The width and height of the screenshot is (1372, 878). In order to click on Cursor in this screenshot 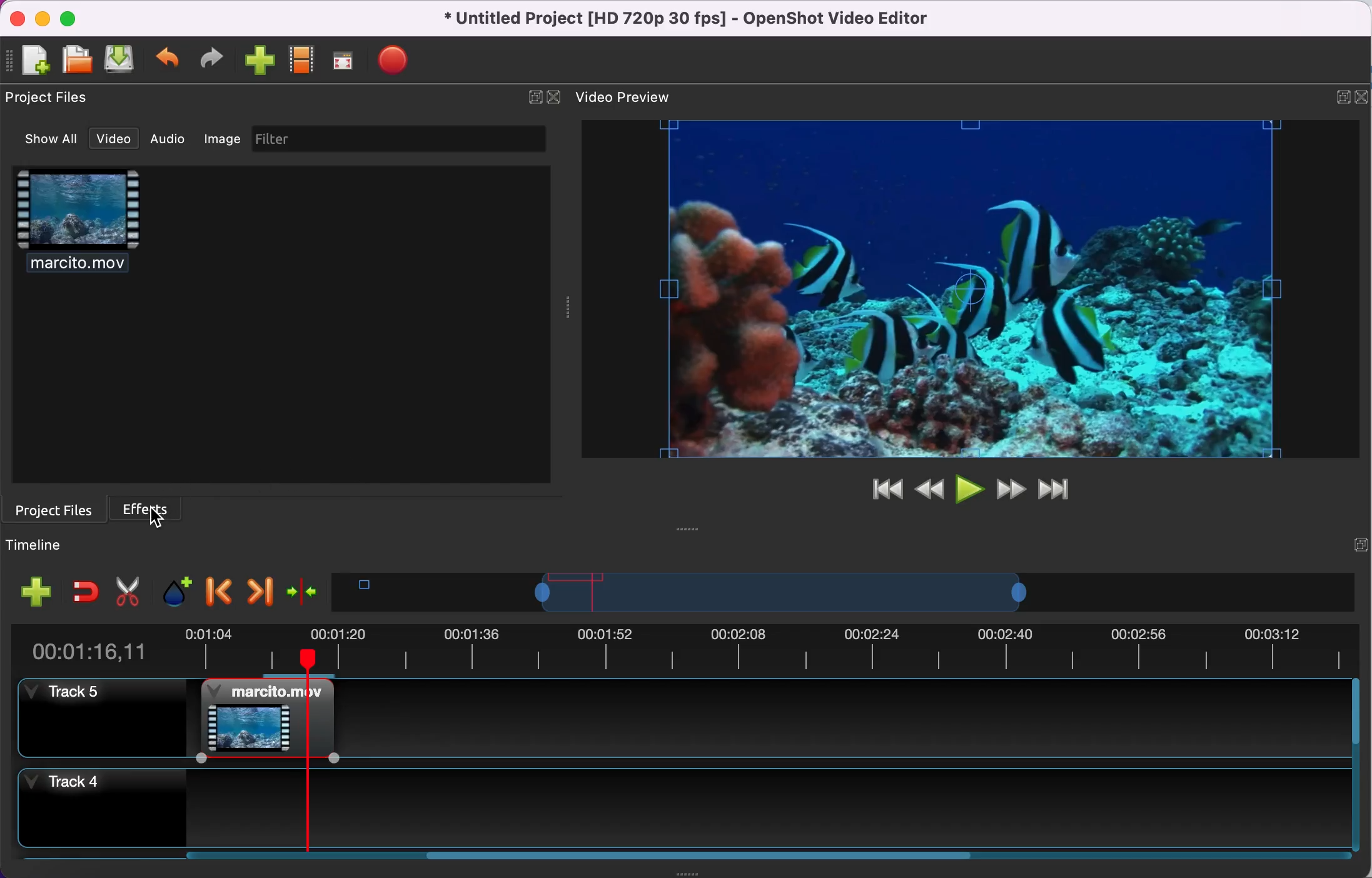, I will do `click(157, 517)`.